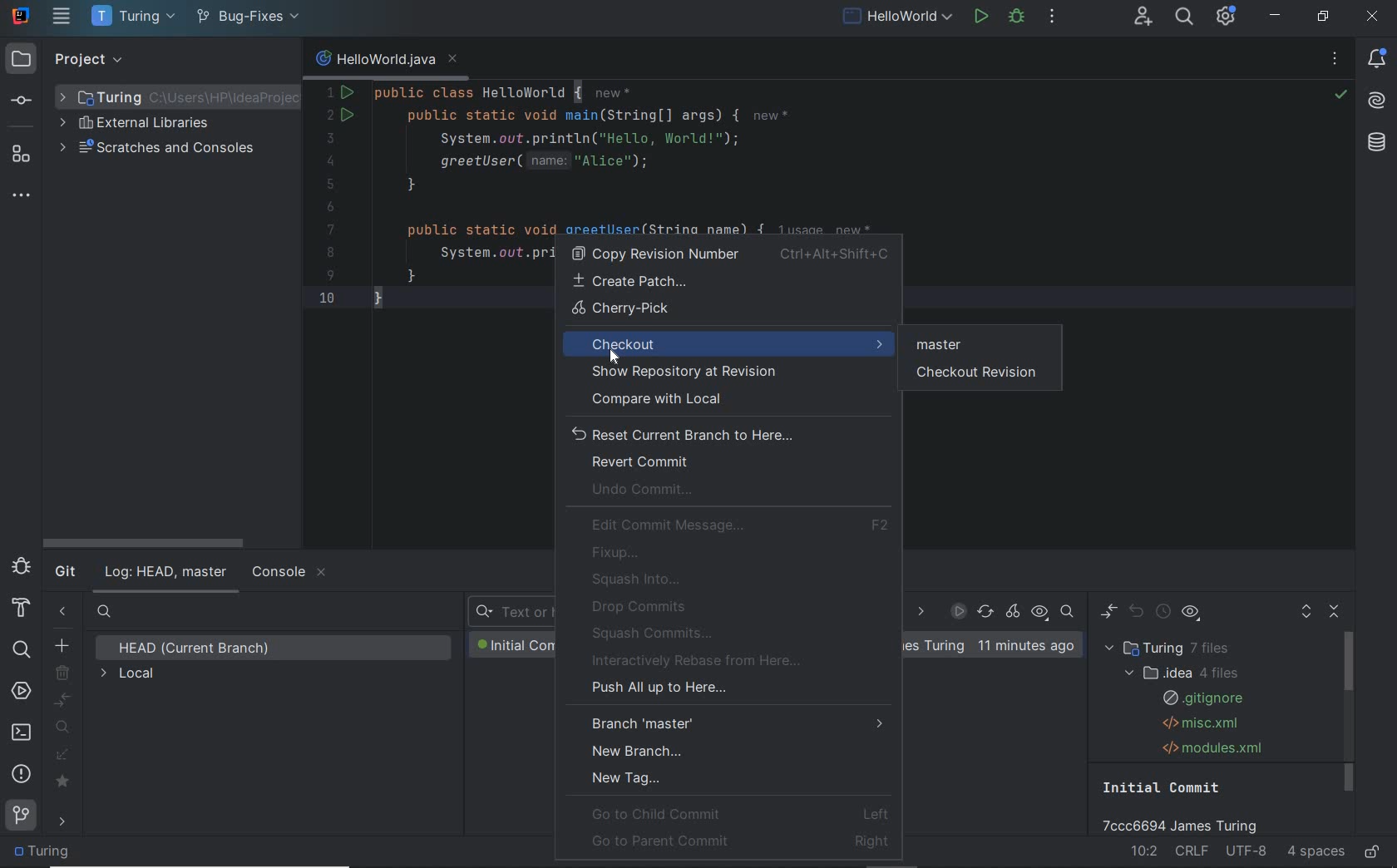 Image resolution: width=1397 pixels, height=868 pixels. Describe the element at coordinates (330, 208) in the screenshot. I see `6` at that location.